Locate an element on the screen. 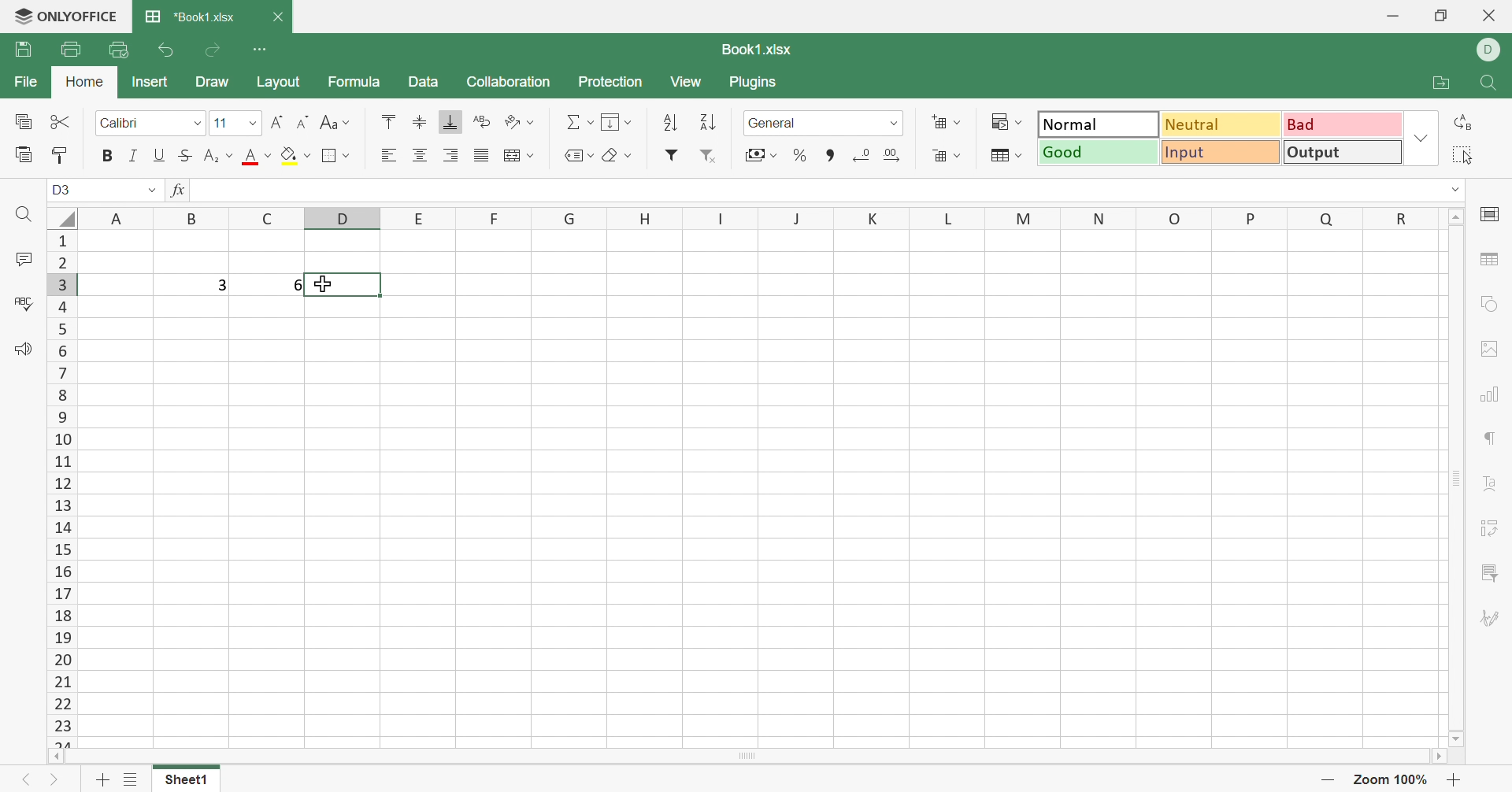  dROP DOWN is located at coordinates (1458, 191).